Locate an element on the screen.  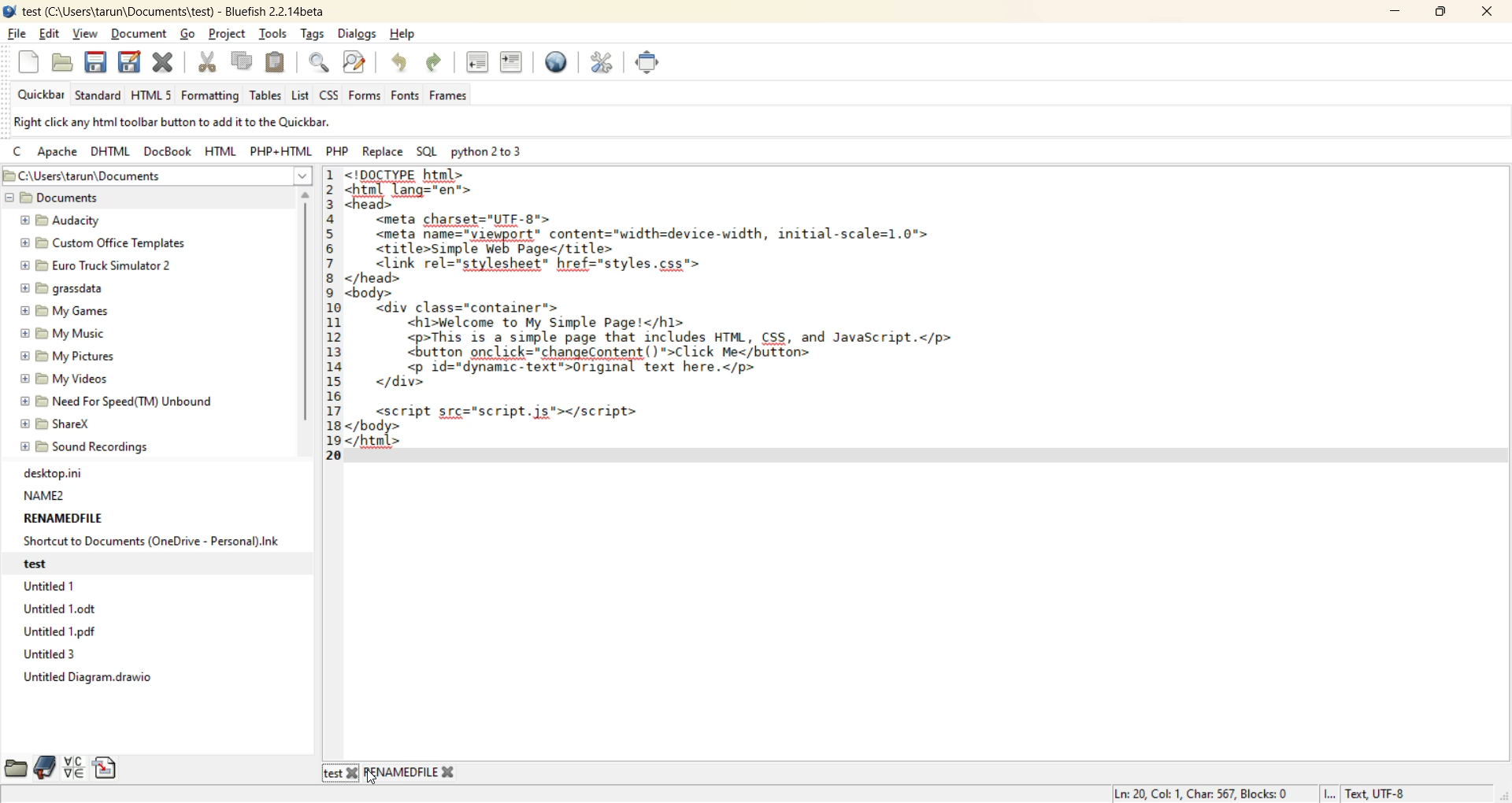
metadata is located at coordinates (1262, 794).